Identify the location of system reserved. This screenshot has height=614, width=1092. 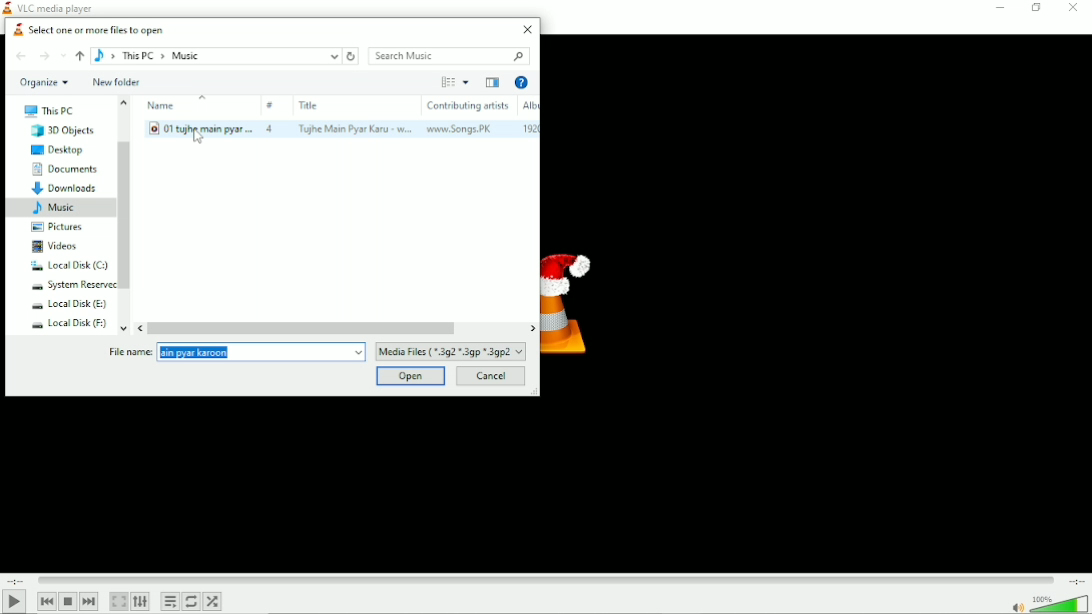
(71, 286).